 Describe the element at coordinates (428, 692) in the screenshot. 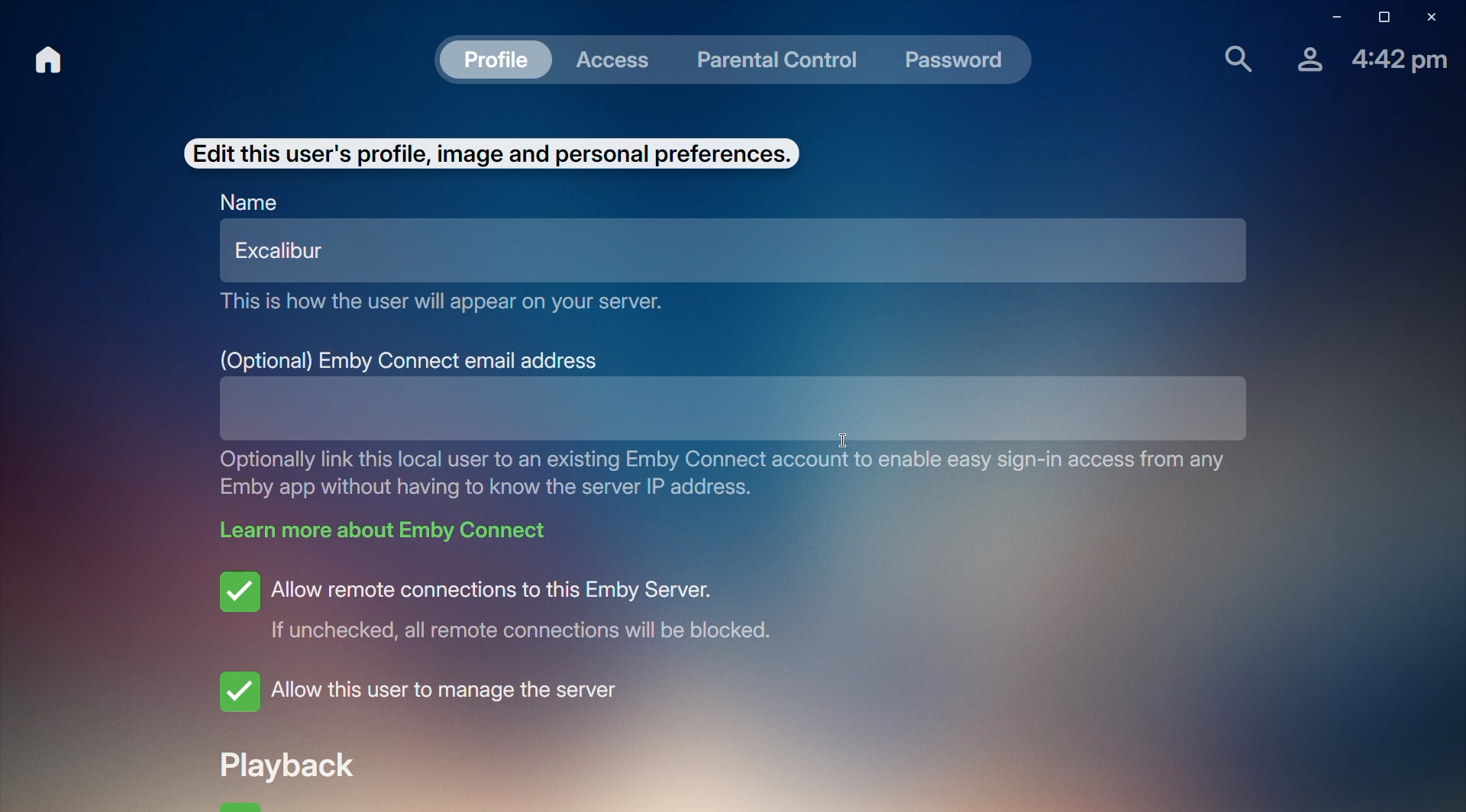

I see `Allow management` at that location.